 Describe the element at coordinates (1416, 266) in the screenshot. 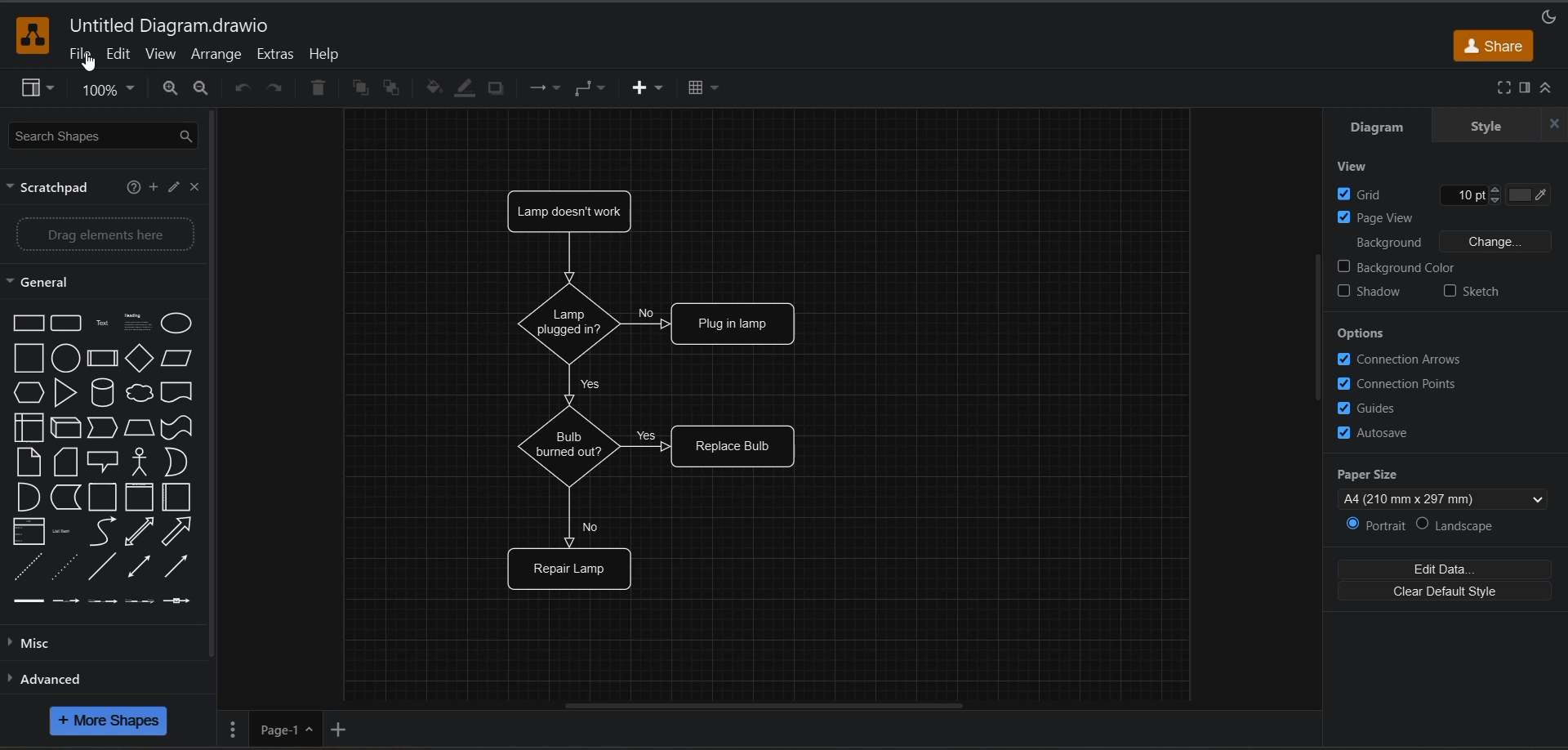

I see `background color` at that location.